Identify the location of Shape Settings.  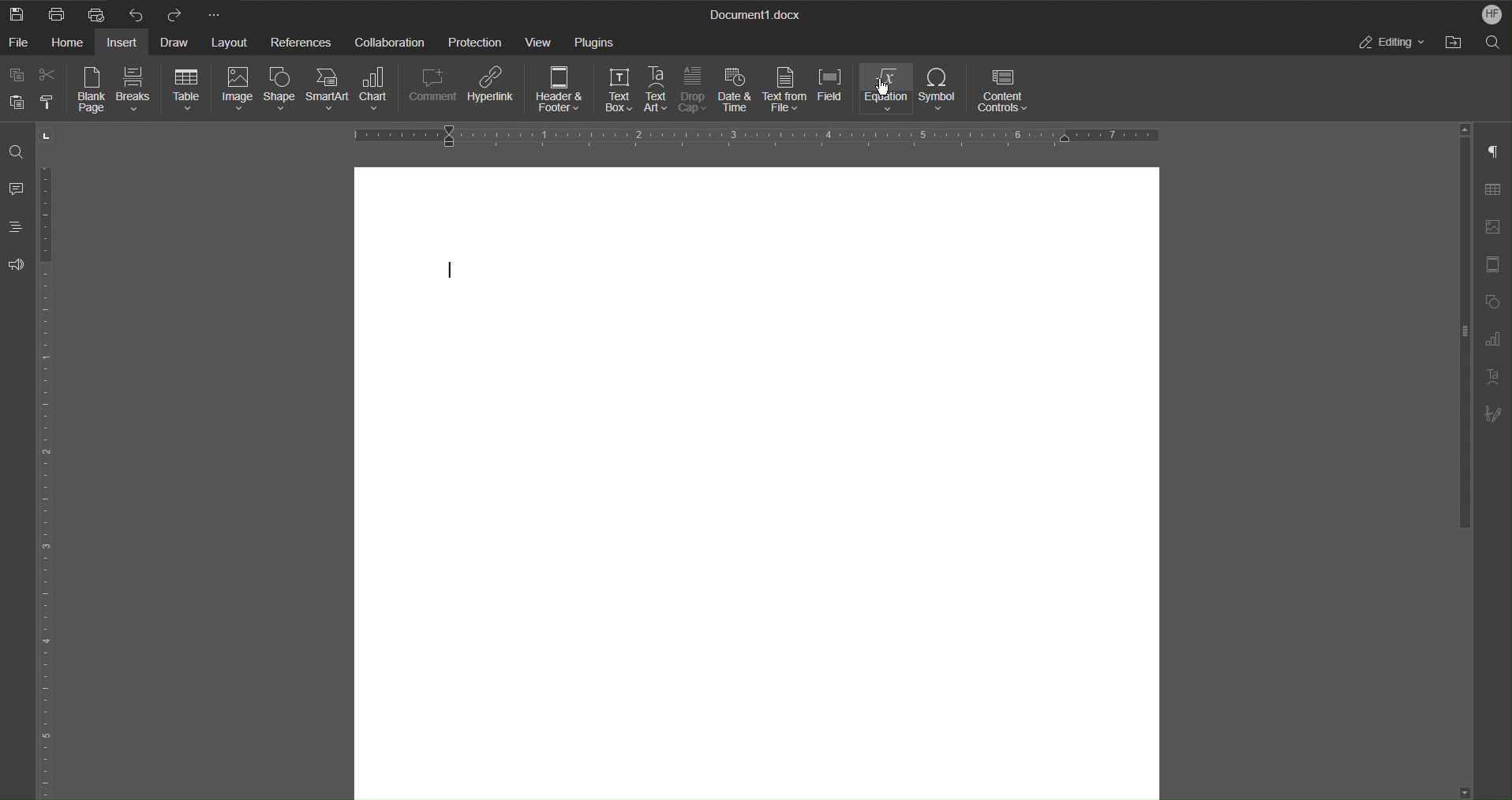
(1491, 301).